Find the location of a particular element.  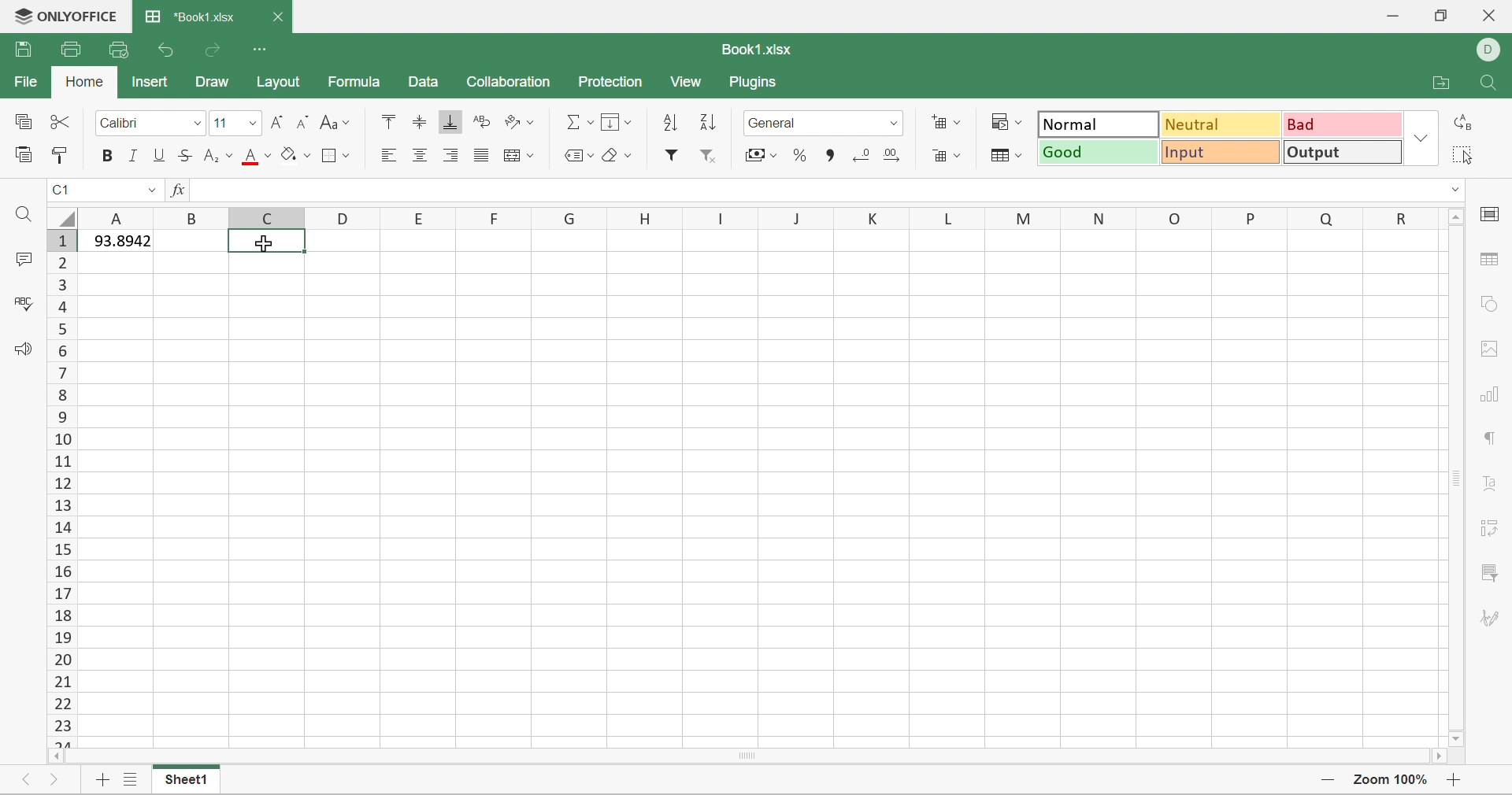

Align Center is located at coordinates (420, 154).